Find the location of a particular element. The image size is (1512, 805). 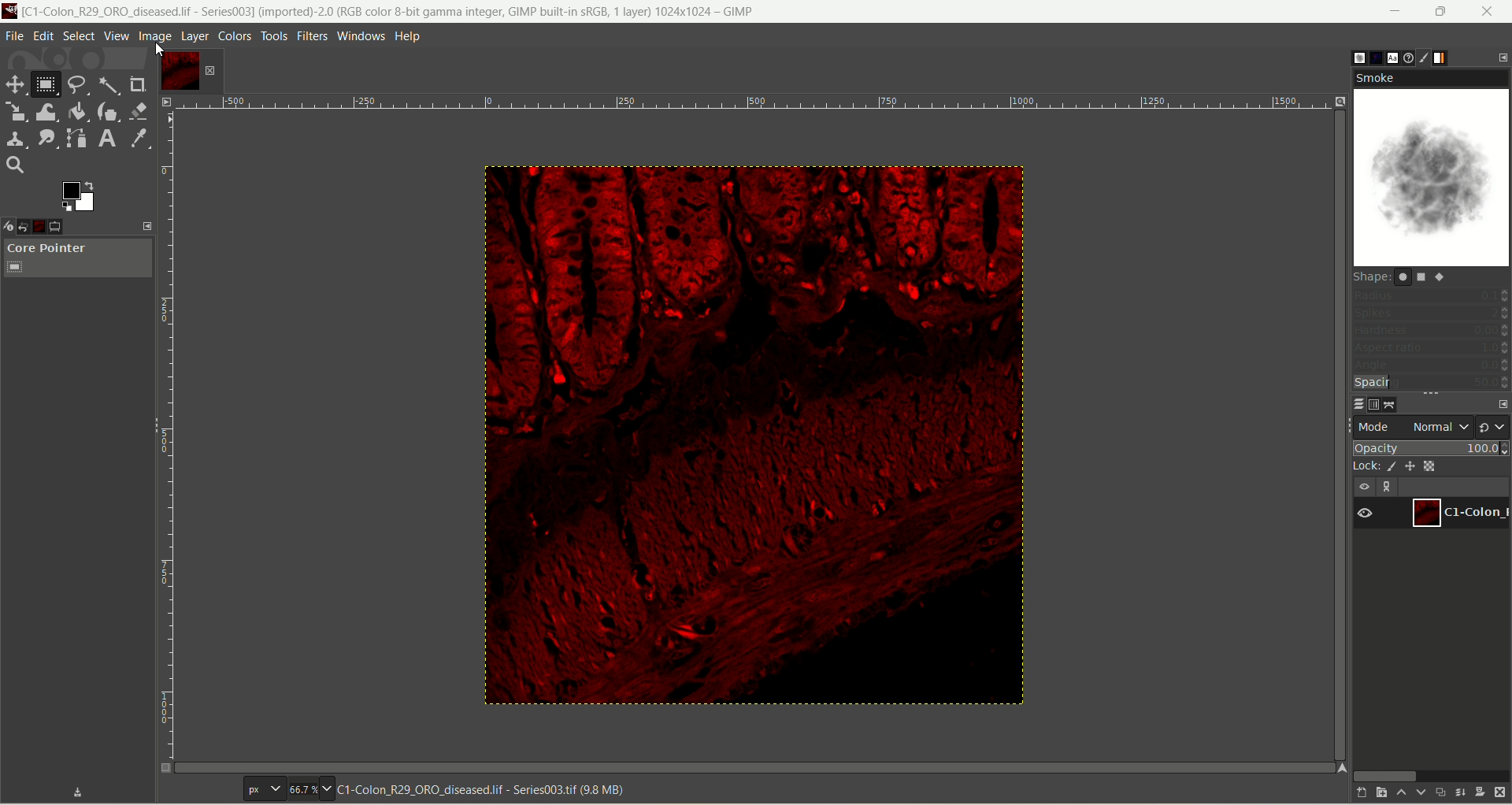

configure this tab is located at coordinates (146, 226).